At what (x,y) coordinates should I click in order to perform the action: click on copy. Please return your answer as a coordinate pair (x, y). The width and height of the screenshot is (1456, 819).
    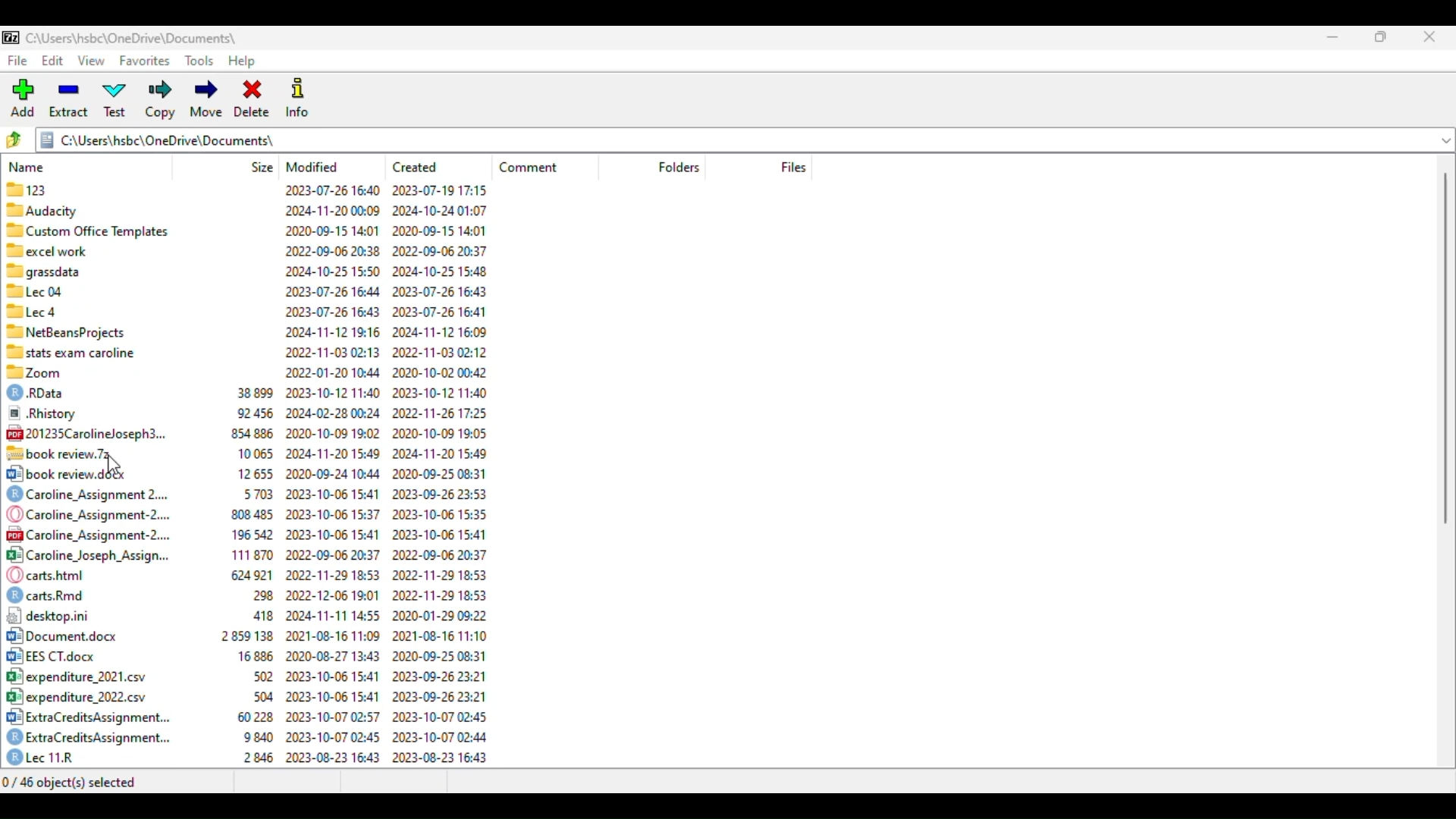
    Looking at the image, I should click on (160, 100).